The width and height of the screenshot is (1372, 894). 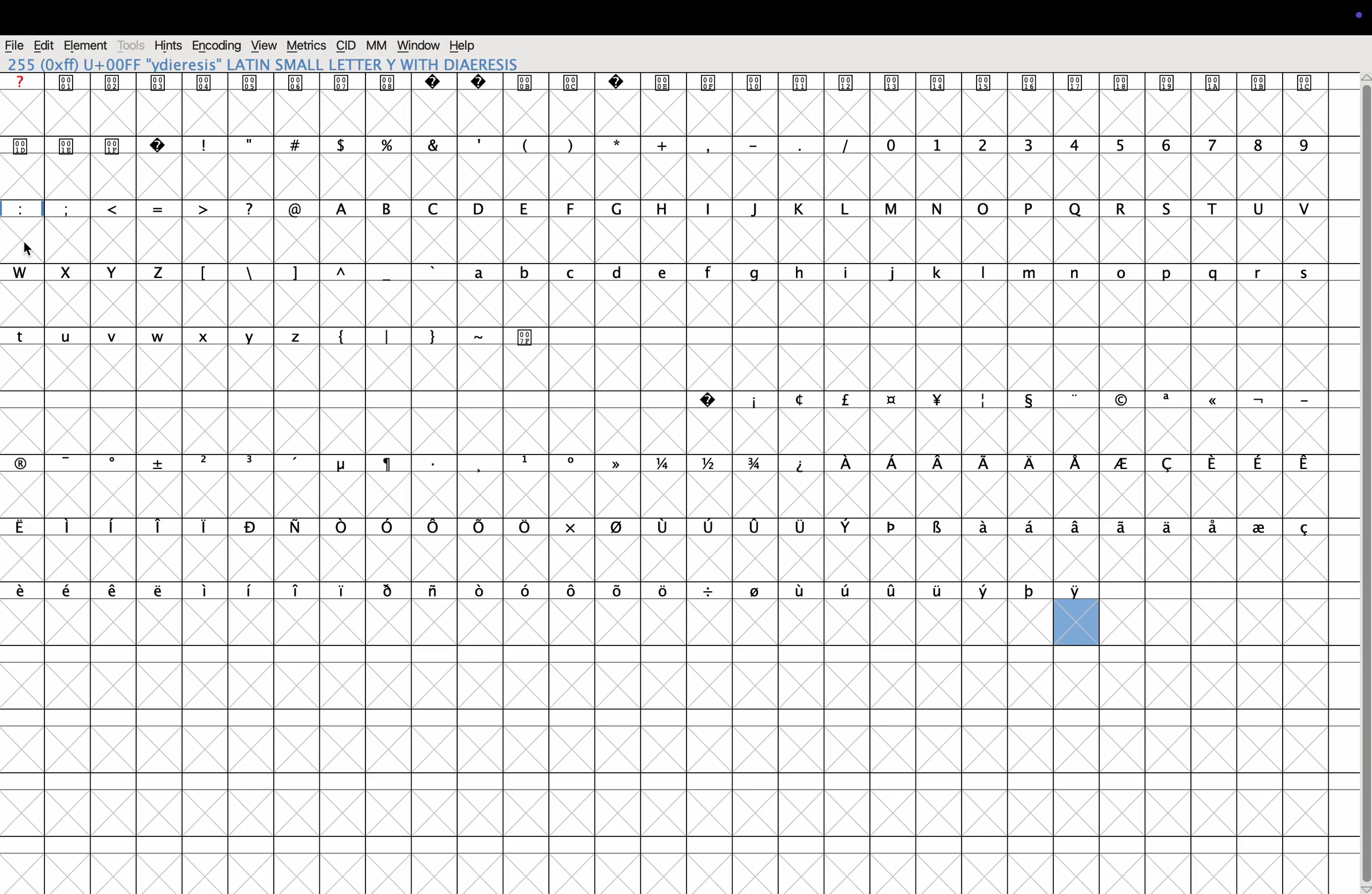 I want to click on j, so click(x=759, y=232).